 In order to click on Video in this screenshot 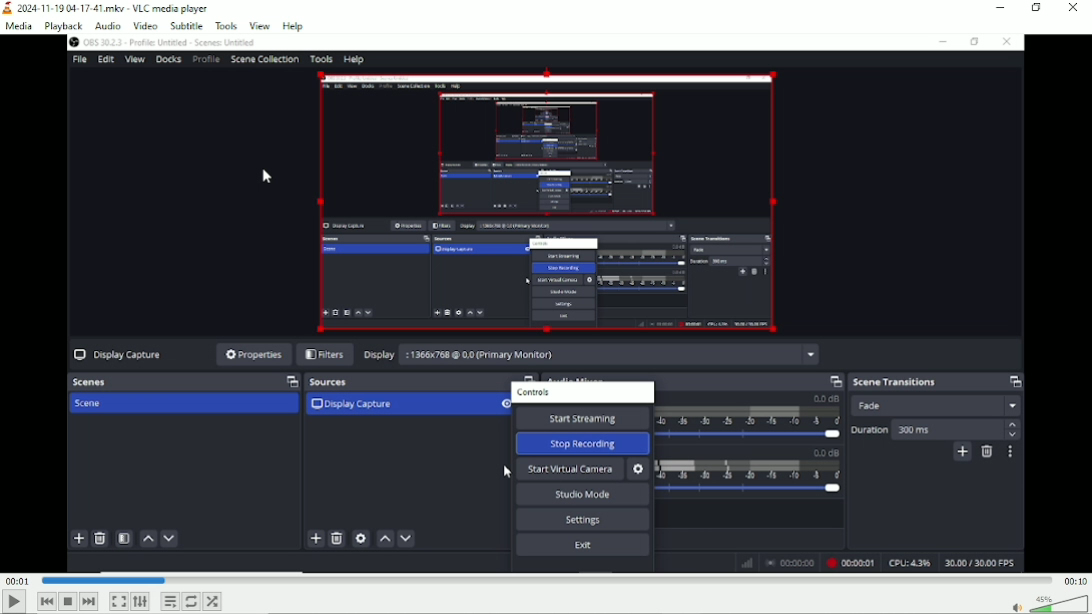, I will do `click(547, 304)`.